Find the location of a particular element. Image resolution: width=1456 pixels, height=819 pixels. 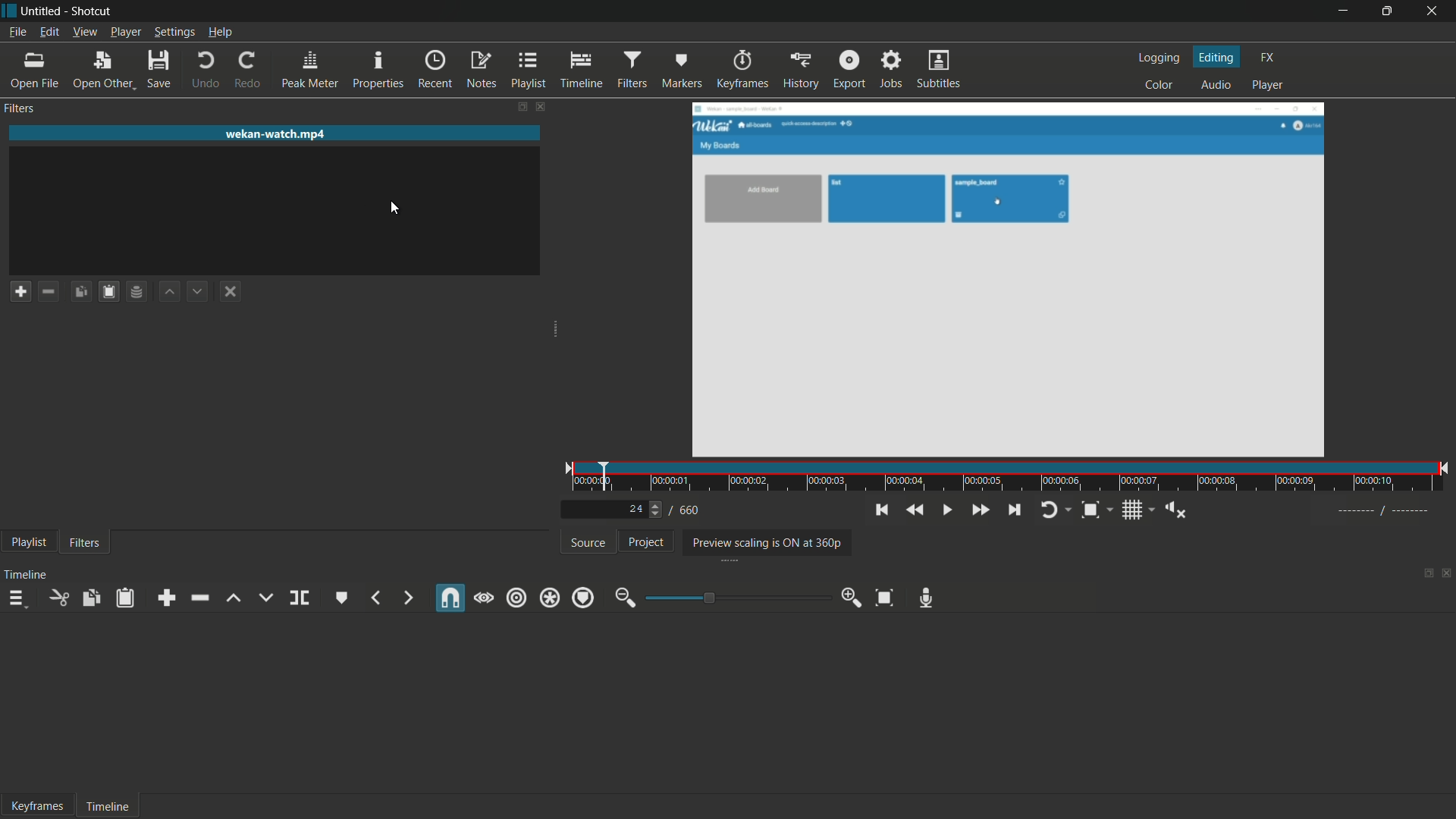

add a filter is located at coordinates (17, 292).